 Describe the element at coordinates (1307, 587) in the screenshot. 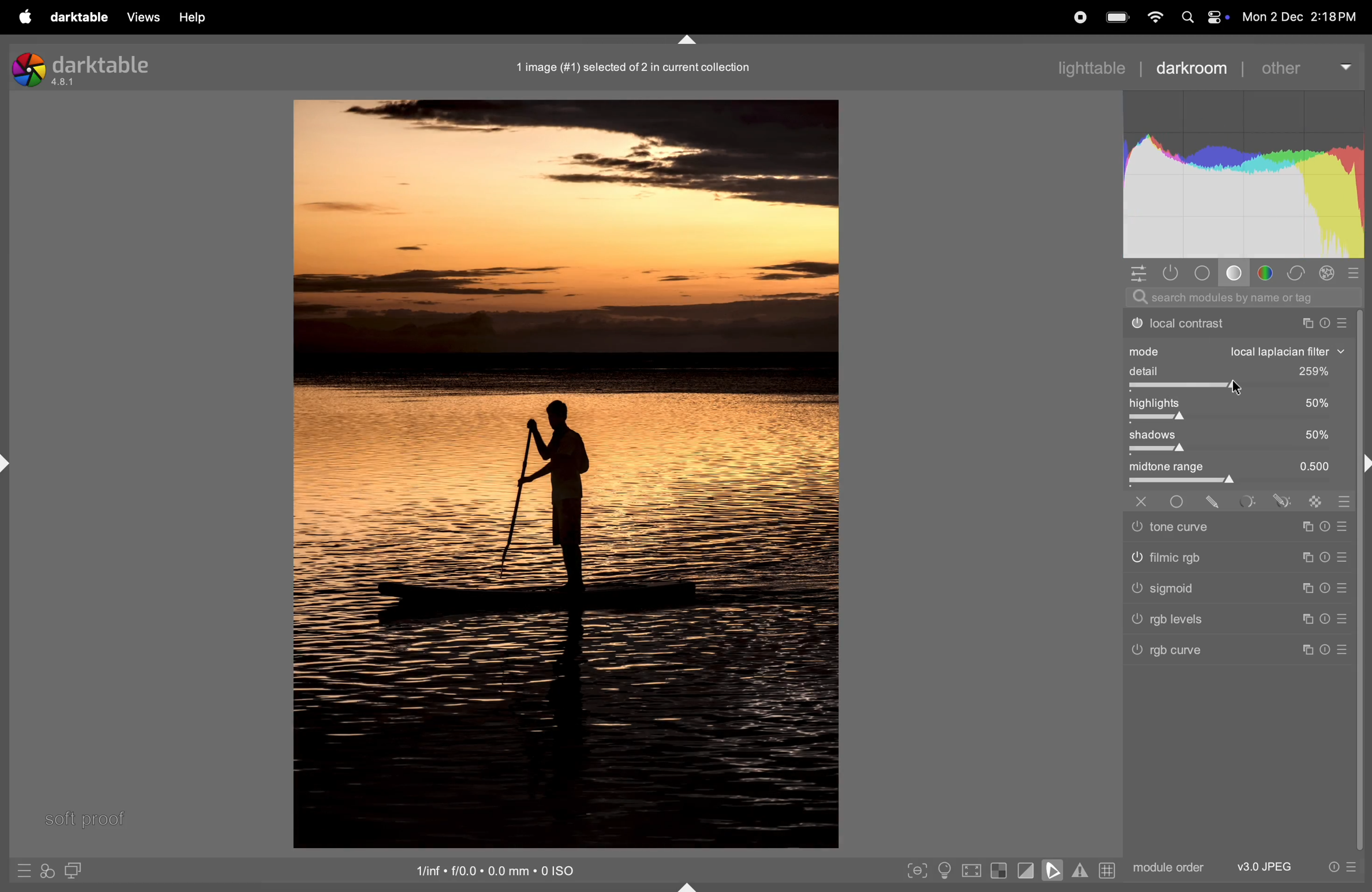

I see `sign ` at that location.